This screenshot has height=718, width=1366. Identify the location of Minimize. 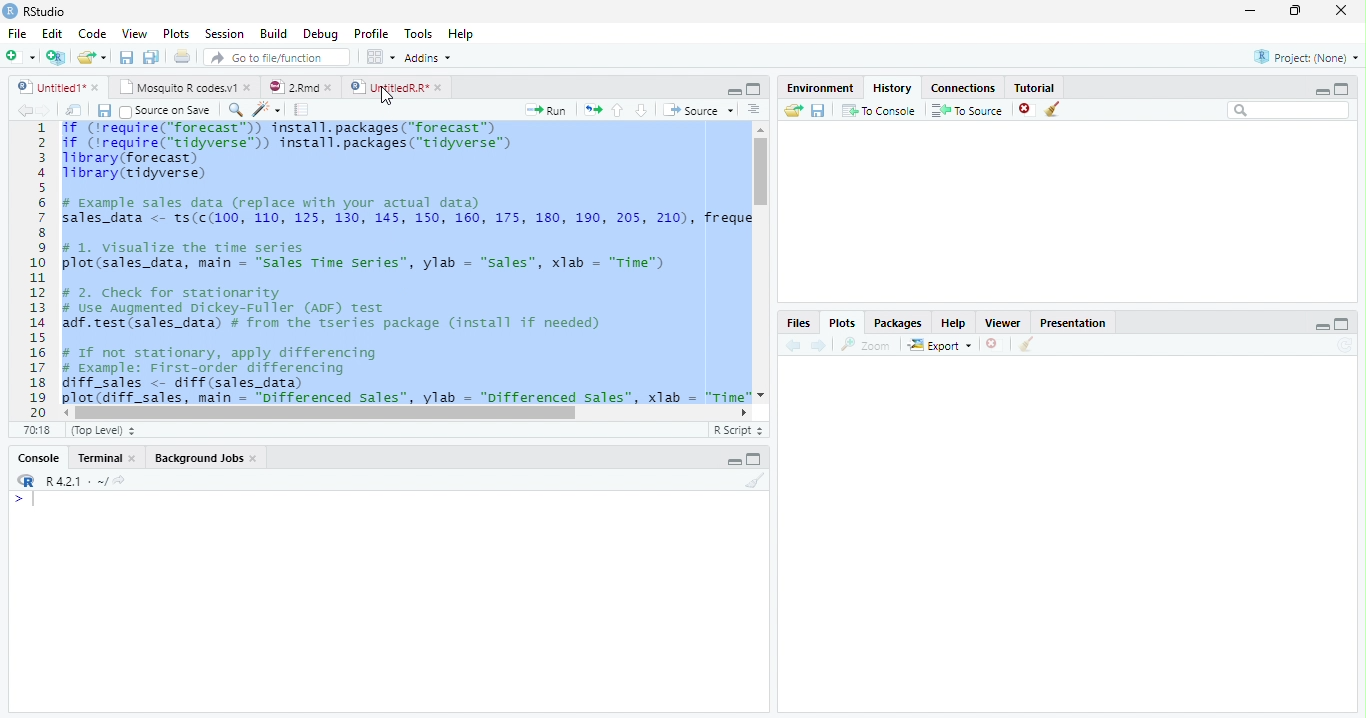
(731, 460).